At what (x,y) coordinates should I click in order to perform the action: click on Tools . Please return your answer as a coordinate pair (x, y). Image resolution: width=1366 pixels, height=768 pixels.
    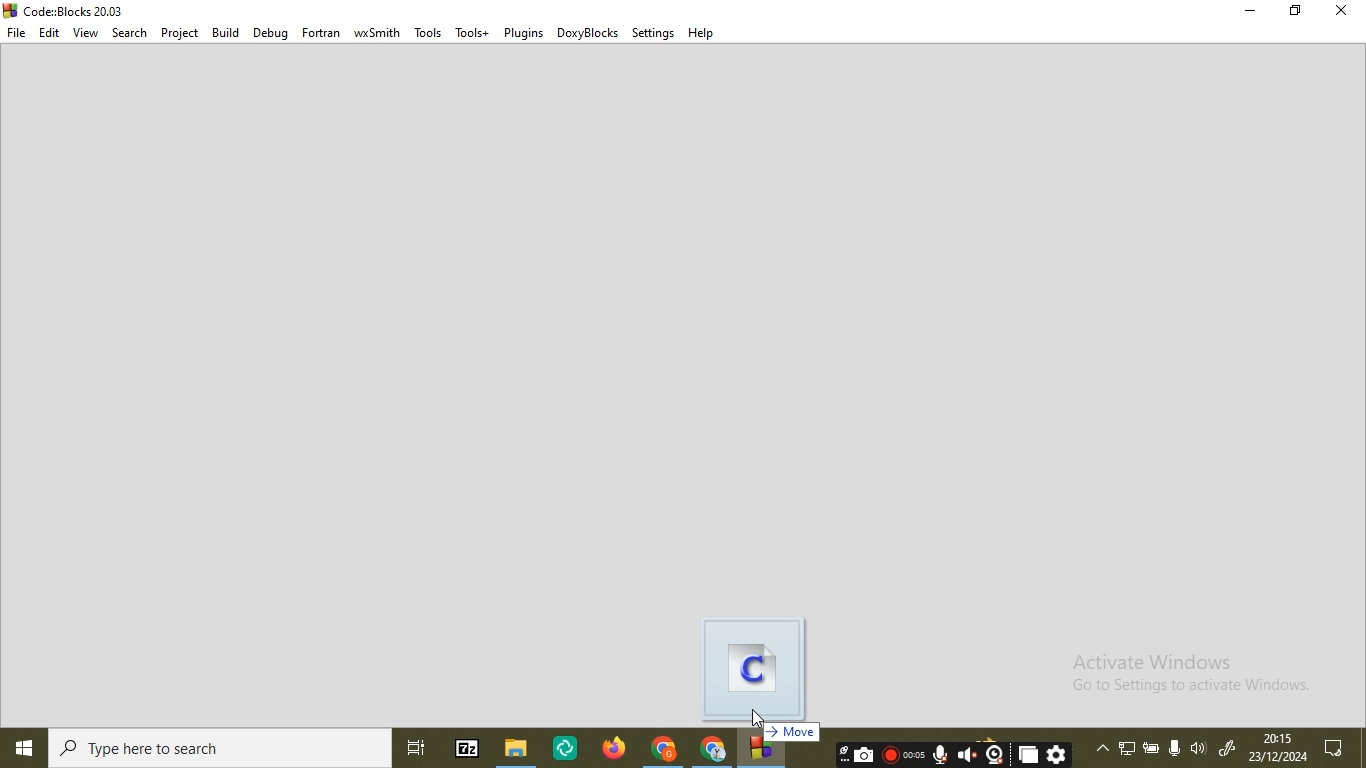
    Looking at the image, I should click on (428, 34).